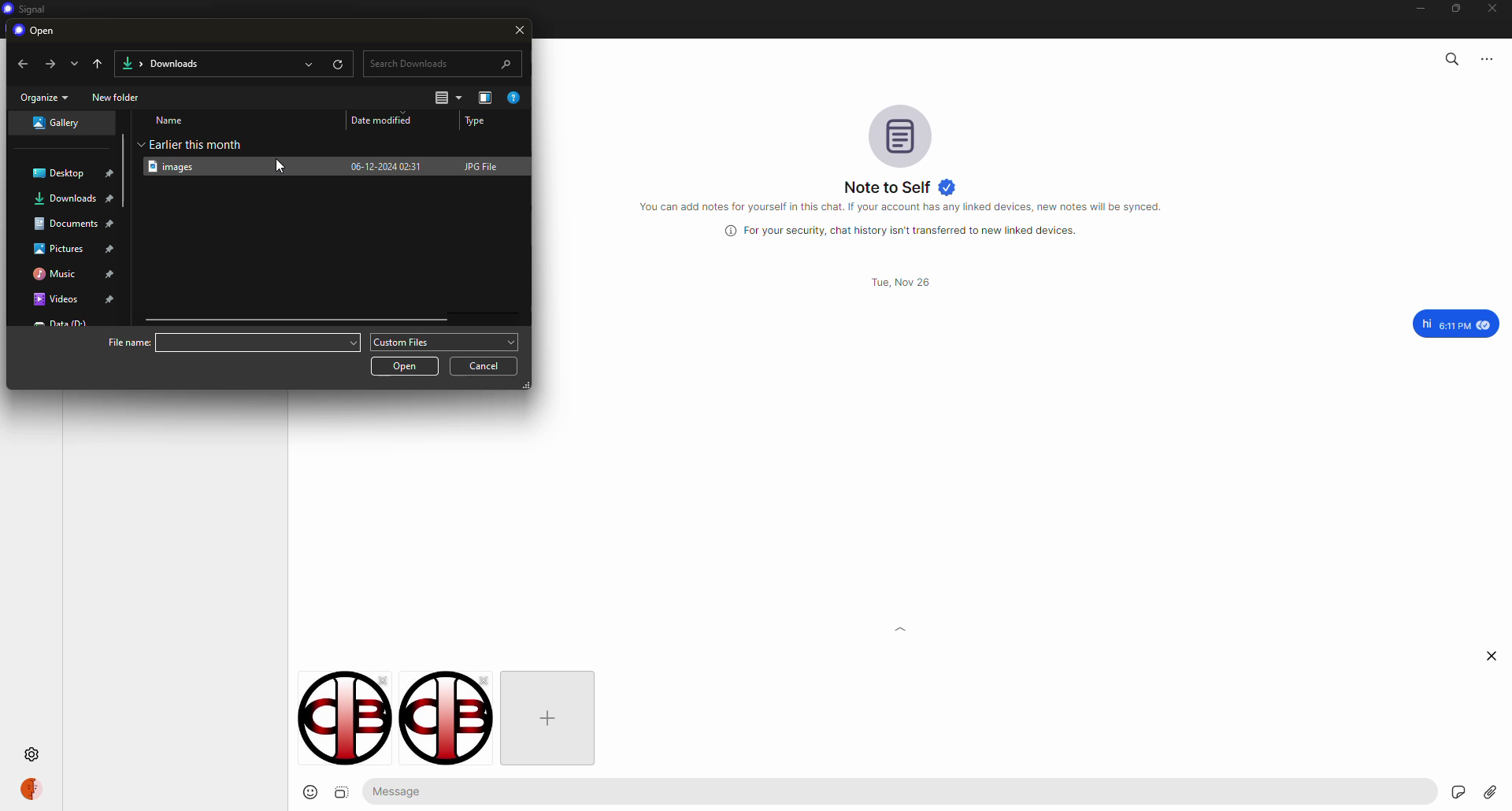 The image size is (1512, 811). Describe the element at coordinates (66, 224) in the screenshot. I see `location` at that location.